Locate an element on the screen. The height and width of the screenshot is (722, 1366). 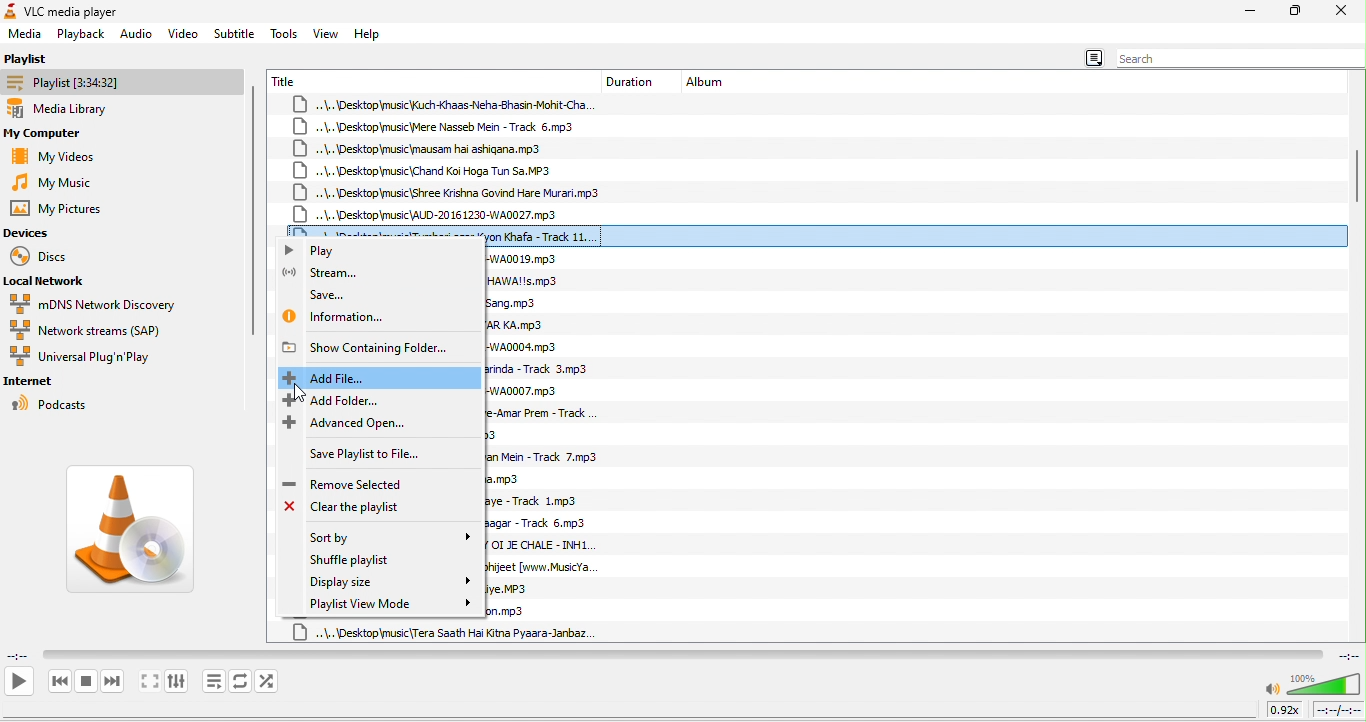
clear the playlist is located at coordinates (359, 510).